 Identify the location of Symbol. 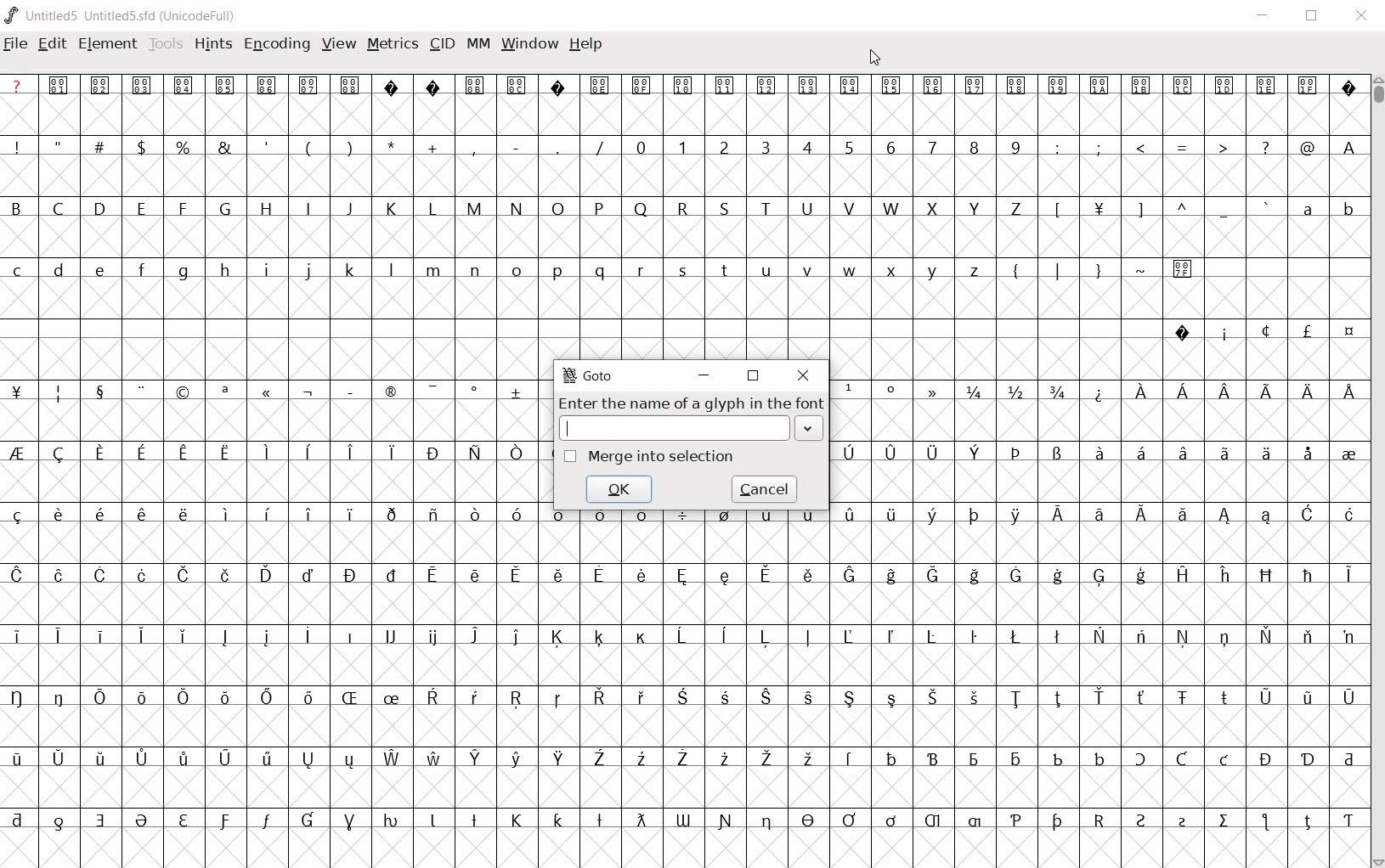
(1267, 392).